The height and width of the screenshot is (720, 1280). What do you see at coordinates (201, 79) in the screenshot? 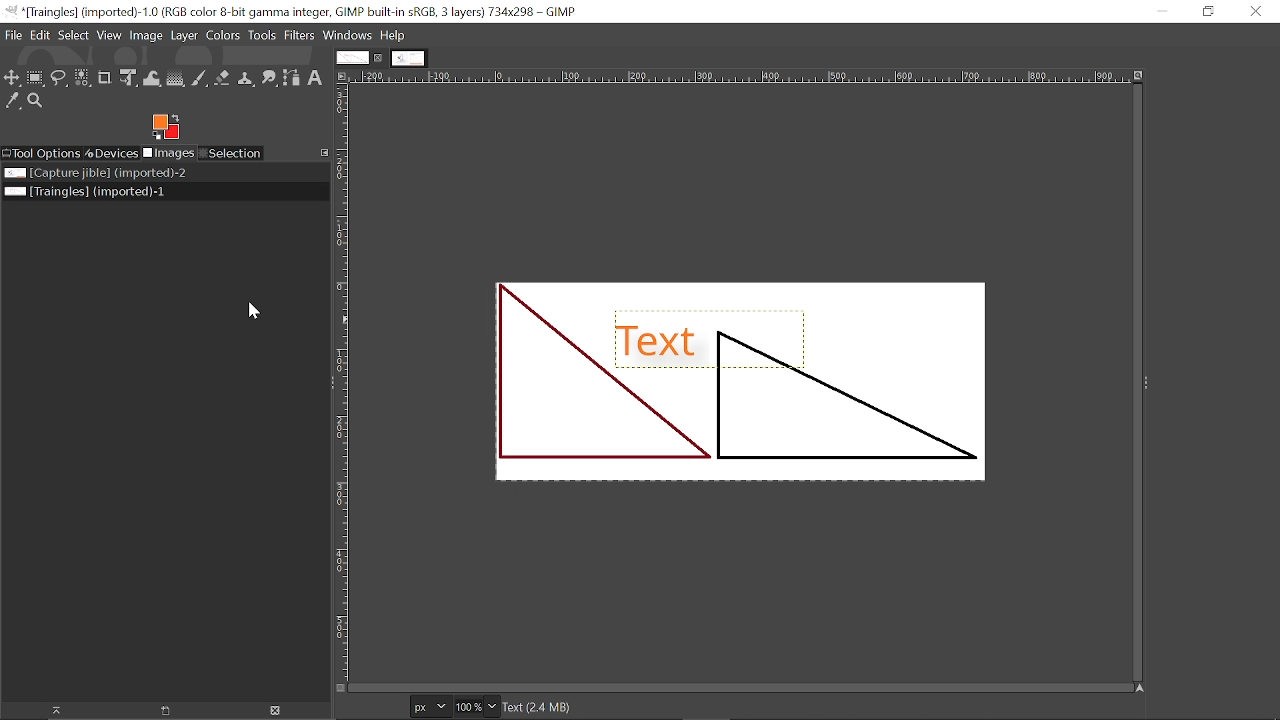
I see `Paintbrush tool` at bounding box center [201, 79].